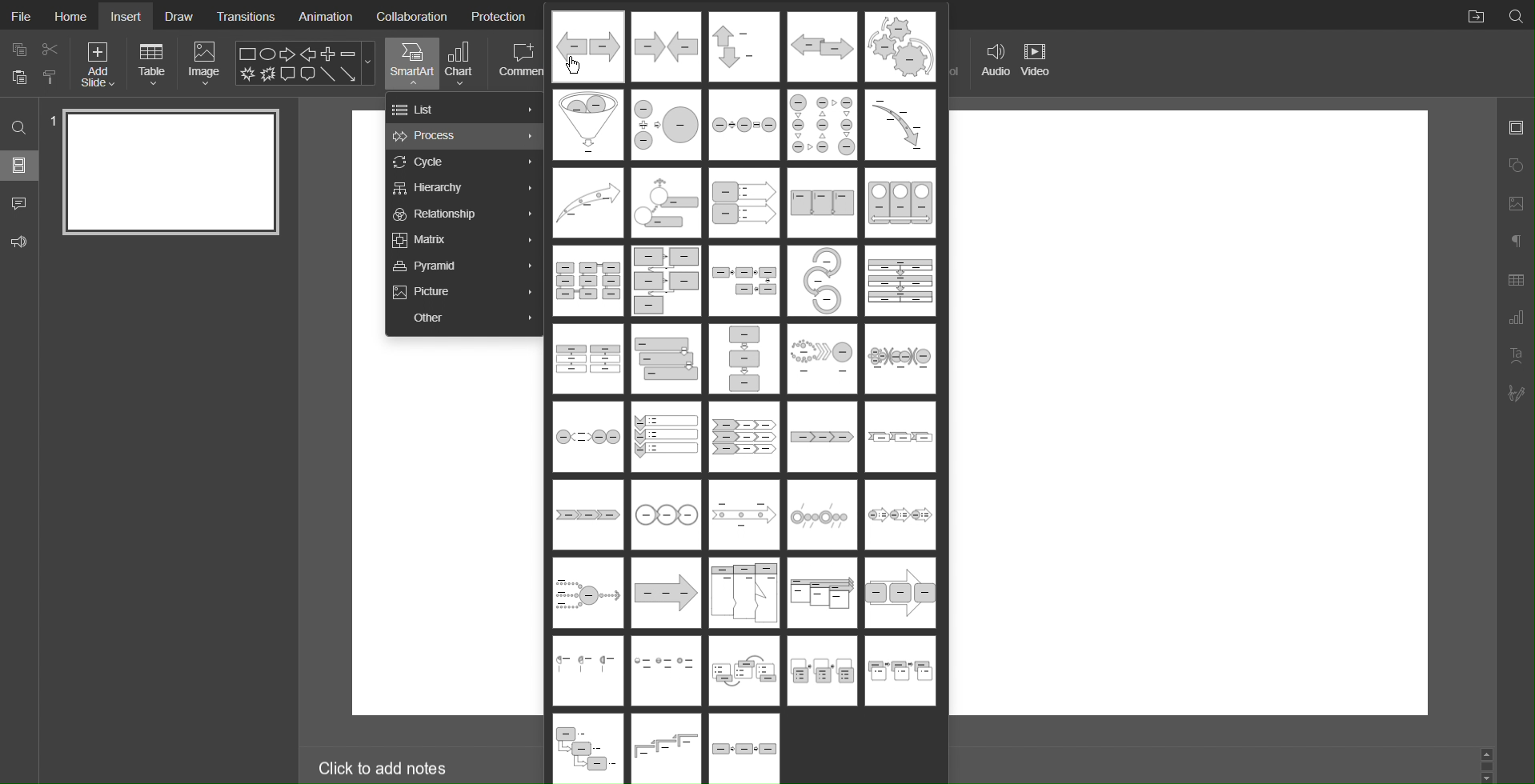 This screenshot has width=1535, height=784. I want to click on Text Art, so click(1514, 355).